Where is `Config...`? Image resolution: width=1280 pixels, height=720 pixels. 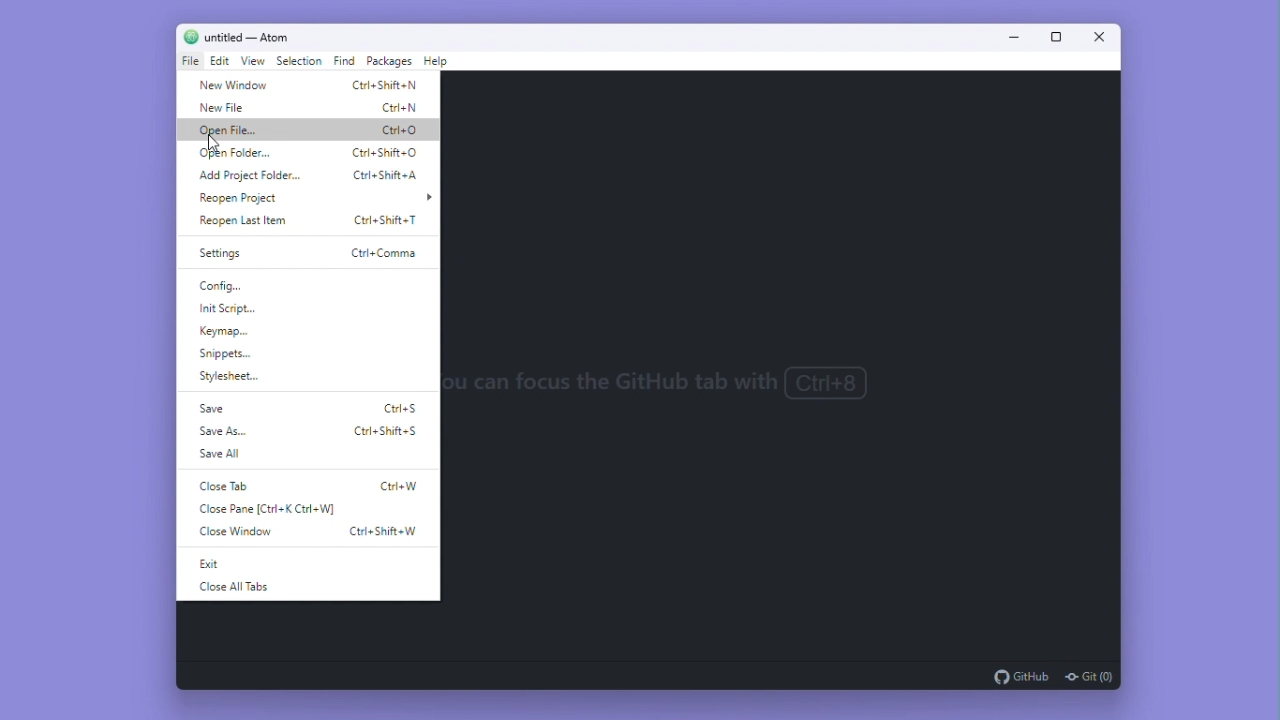 Config... is located at coordinates (236, 284).